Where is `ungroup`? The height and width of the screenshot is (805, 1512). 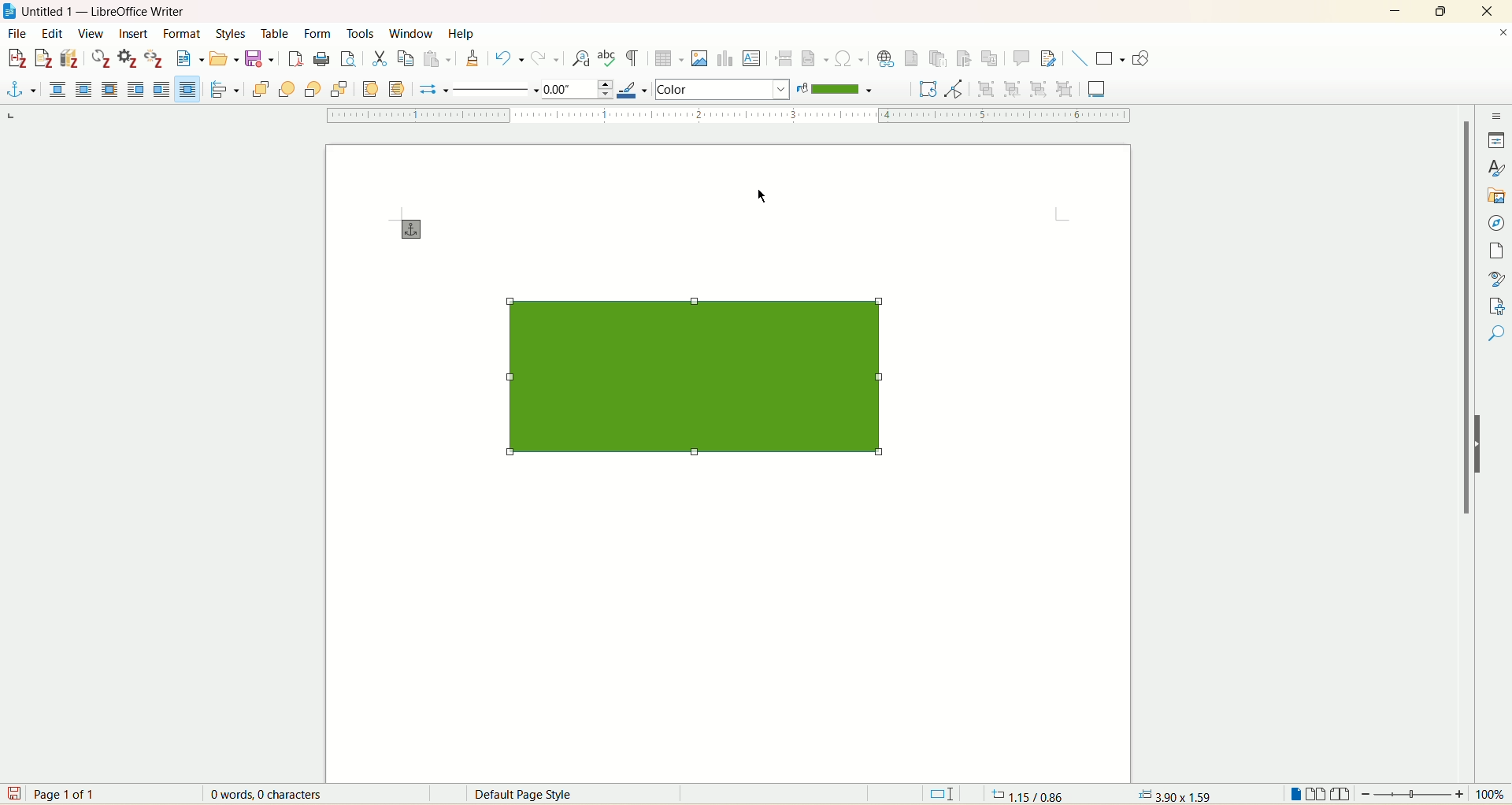
ungroup is located at coordinates (1065, 88).